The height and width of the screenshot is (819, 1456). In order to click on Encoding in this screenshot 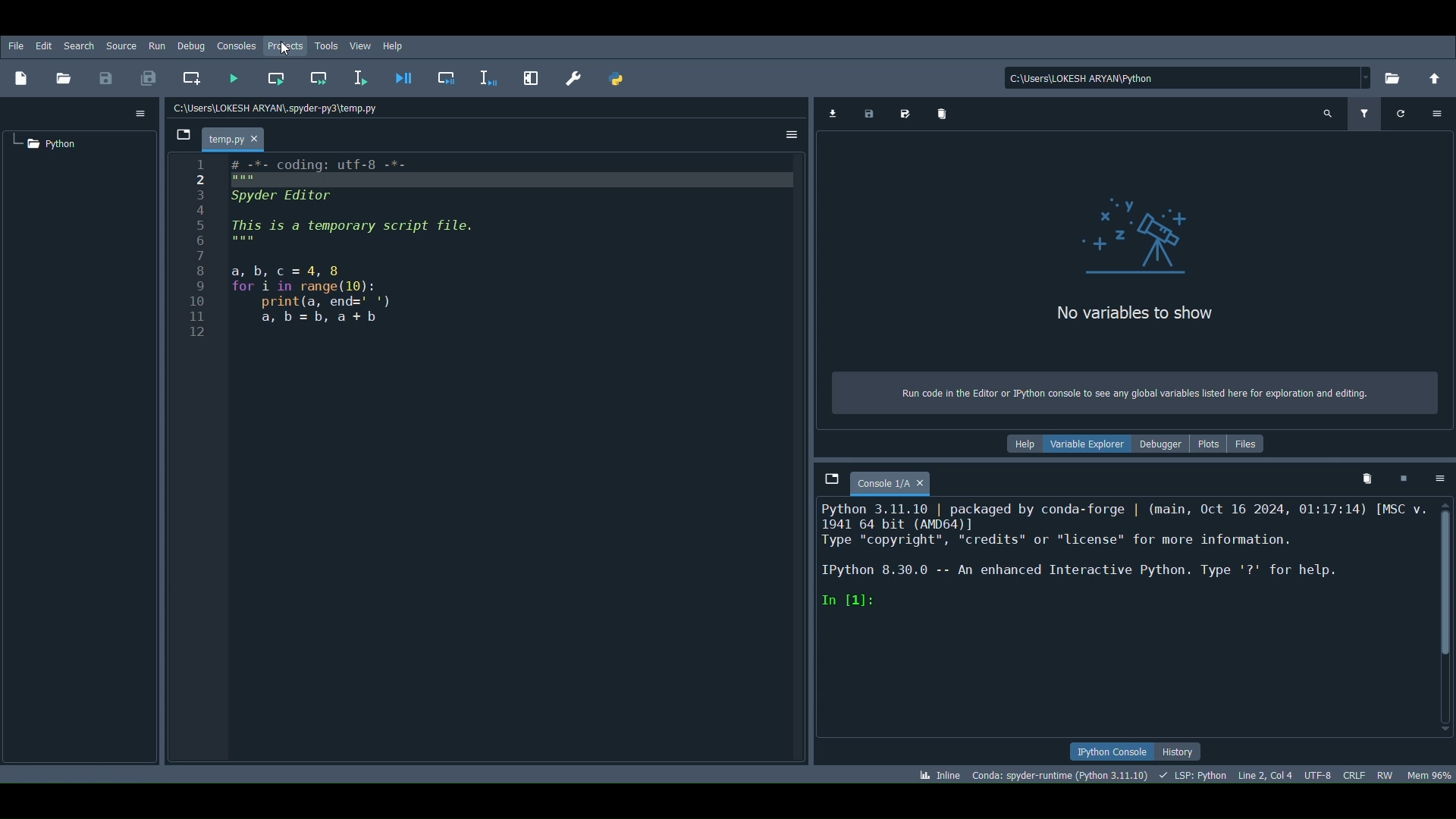, I will do `click(1319, 773)`.